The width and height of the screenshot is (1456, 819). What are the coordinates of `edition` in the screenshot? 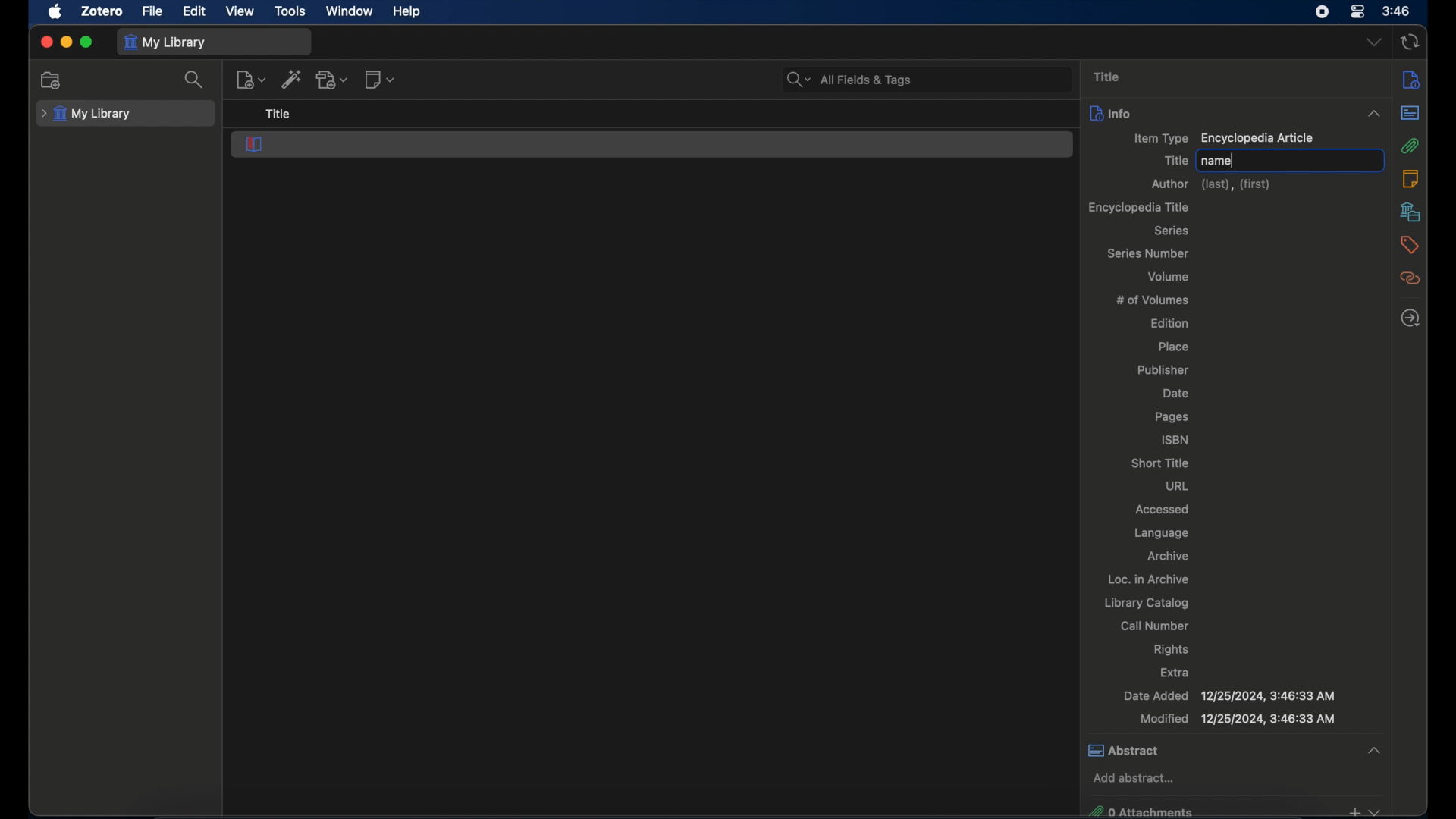 It's located at (1172, 322).